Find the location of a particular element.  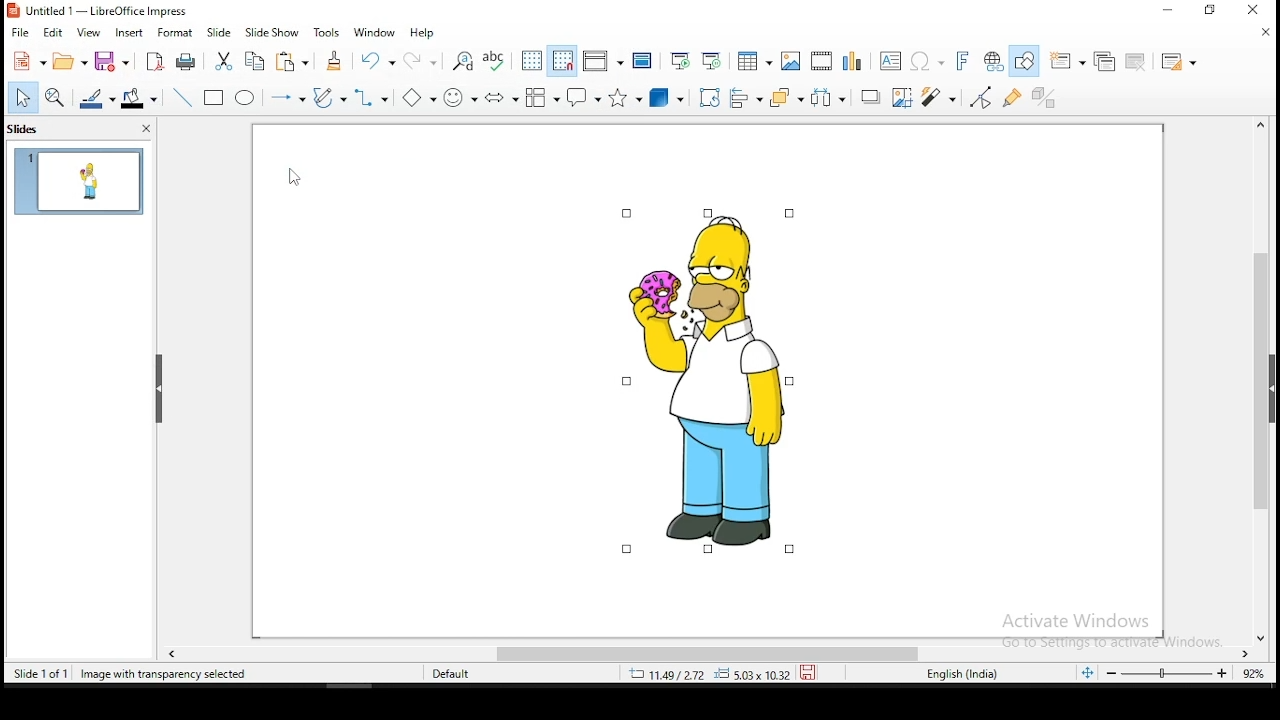

slide show is located at coordinates (271, 33).